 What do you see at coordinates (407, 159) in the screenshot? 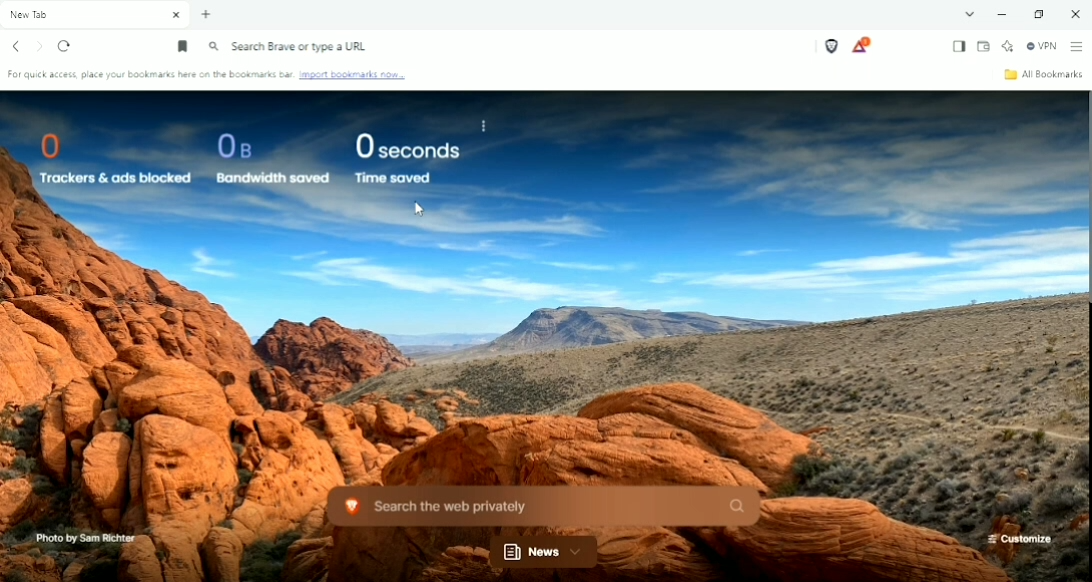
I see `0 seconds Time saved` at bounding box center [407, 159].